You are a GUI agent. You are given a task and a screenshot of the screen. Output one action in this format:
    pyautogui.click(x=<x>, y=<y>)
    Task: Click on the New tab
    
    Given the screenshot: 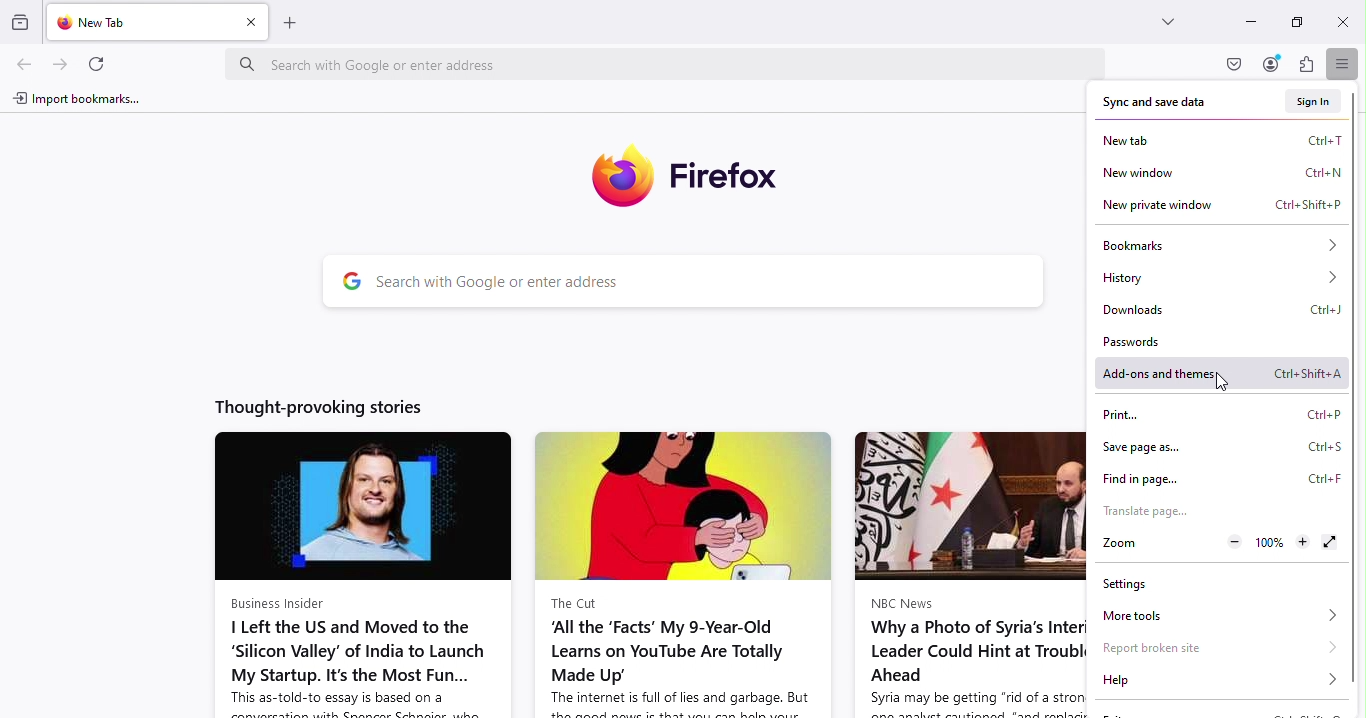 What is the action you would take?
    pyautogui.click(x=138, y=21)
    